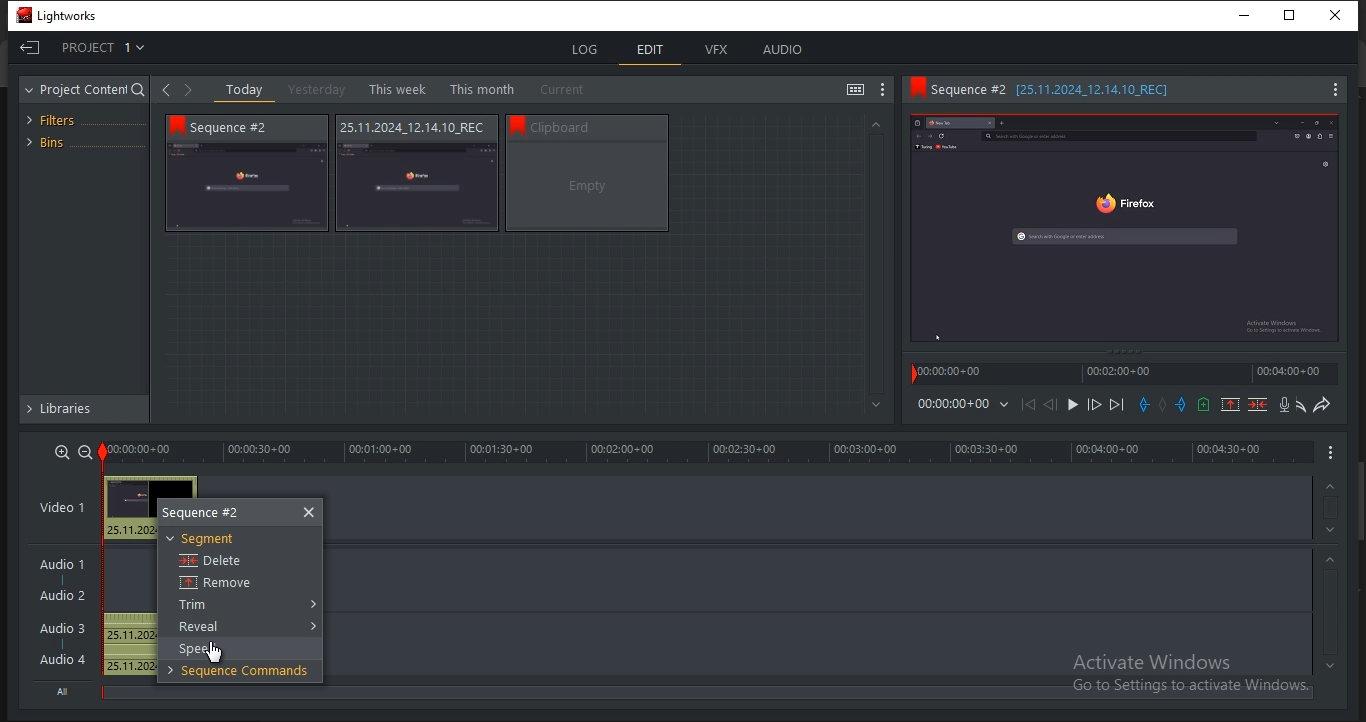  Describe the element at coordinates (856, 89) in the screenshot. I see `toggle between list and tile view` at that location.